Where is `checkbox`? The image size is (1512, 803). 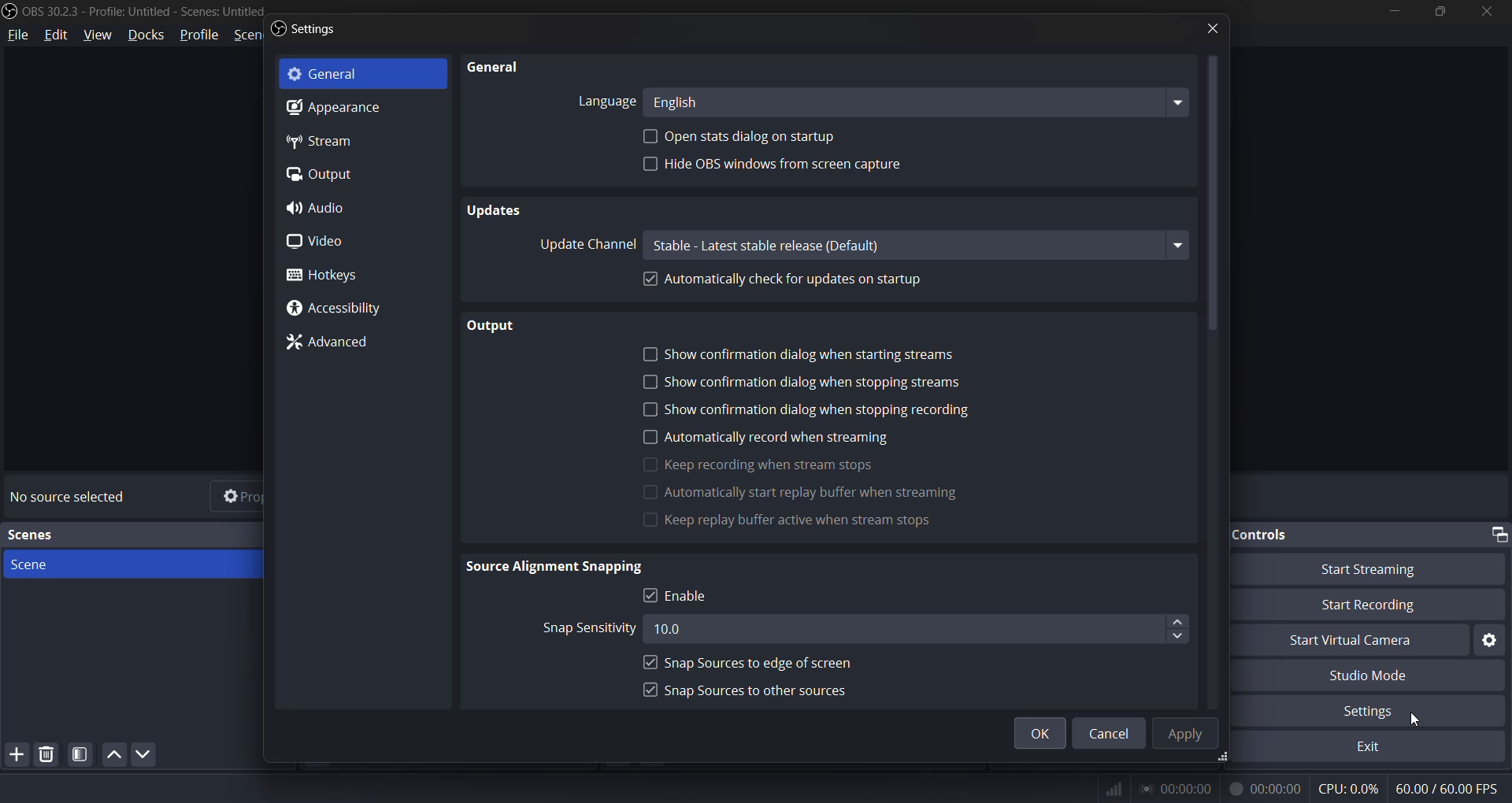
checkbox is located at coordinates (651, 464).